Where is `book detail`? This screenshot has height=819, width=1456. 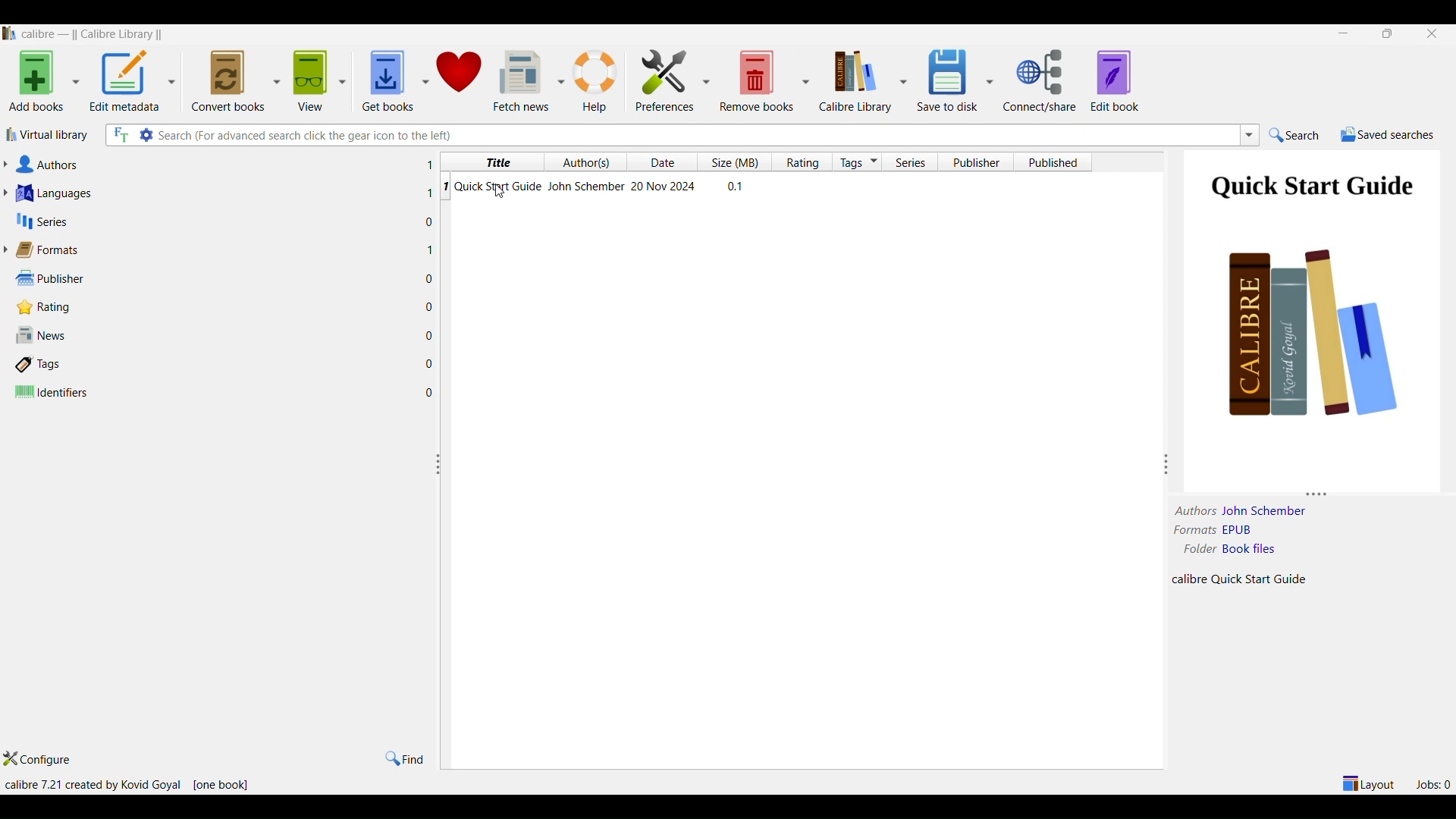
book detail is located at coordinates (764, 186).